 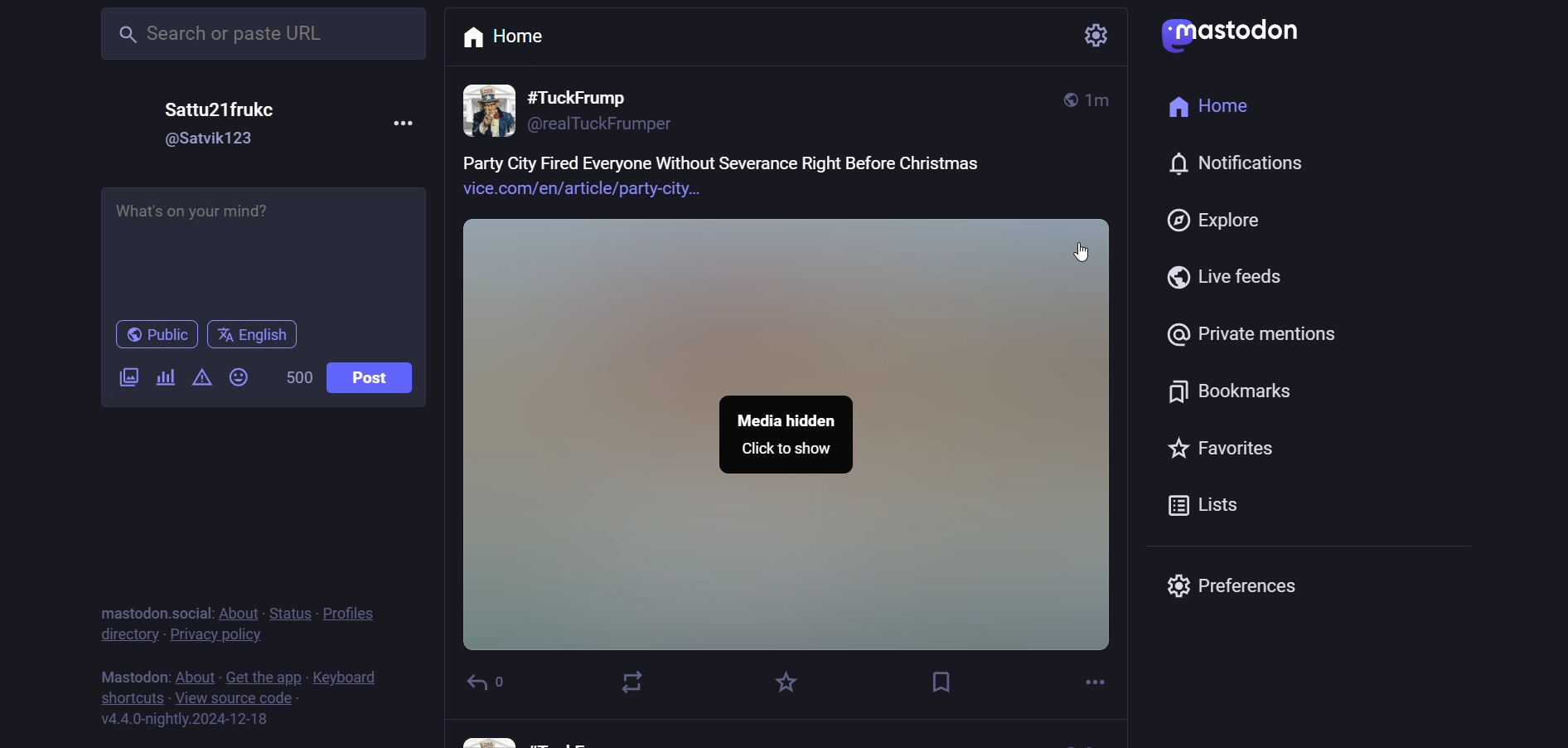 I want to click on Media Hidden, so click(x=784, y=435).